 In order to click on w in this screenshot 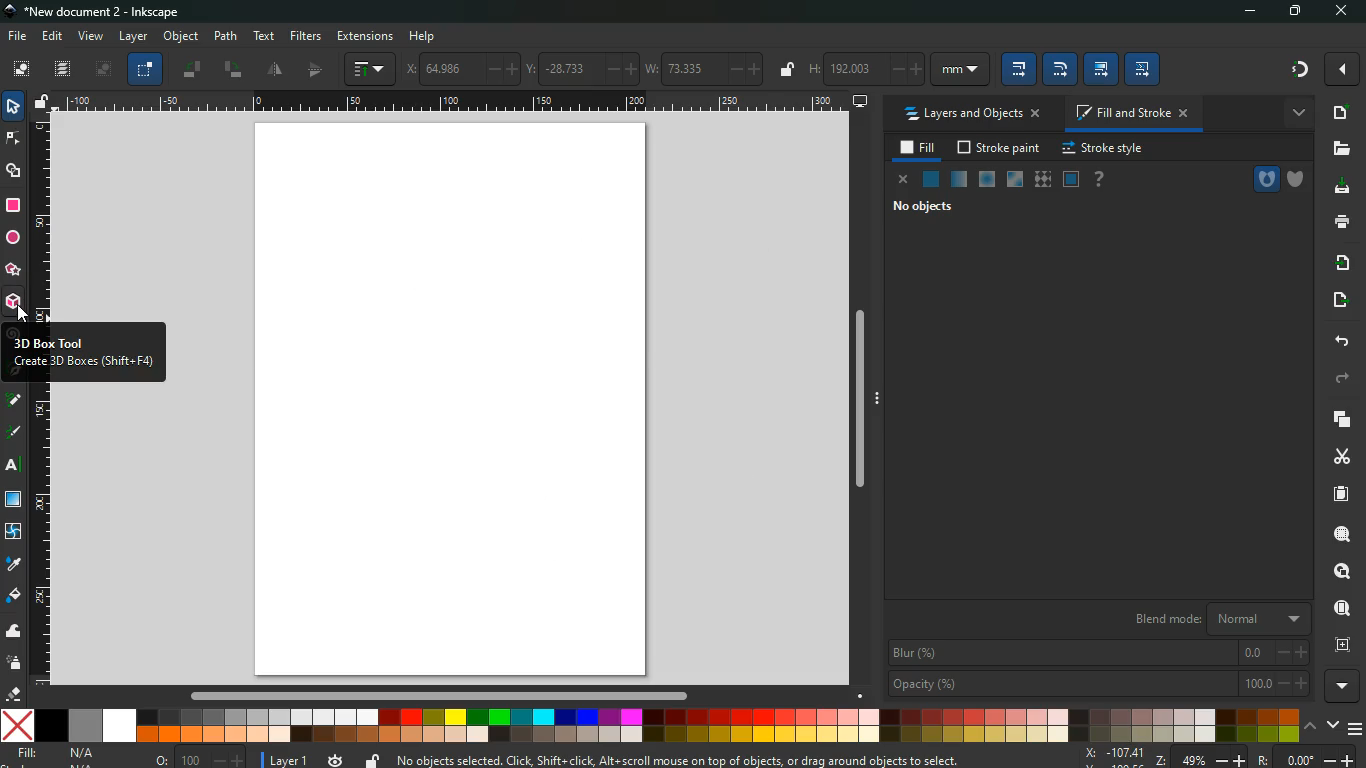, I will do `click(703, 67)`.